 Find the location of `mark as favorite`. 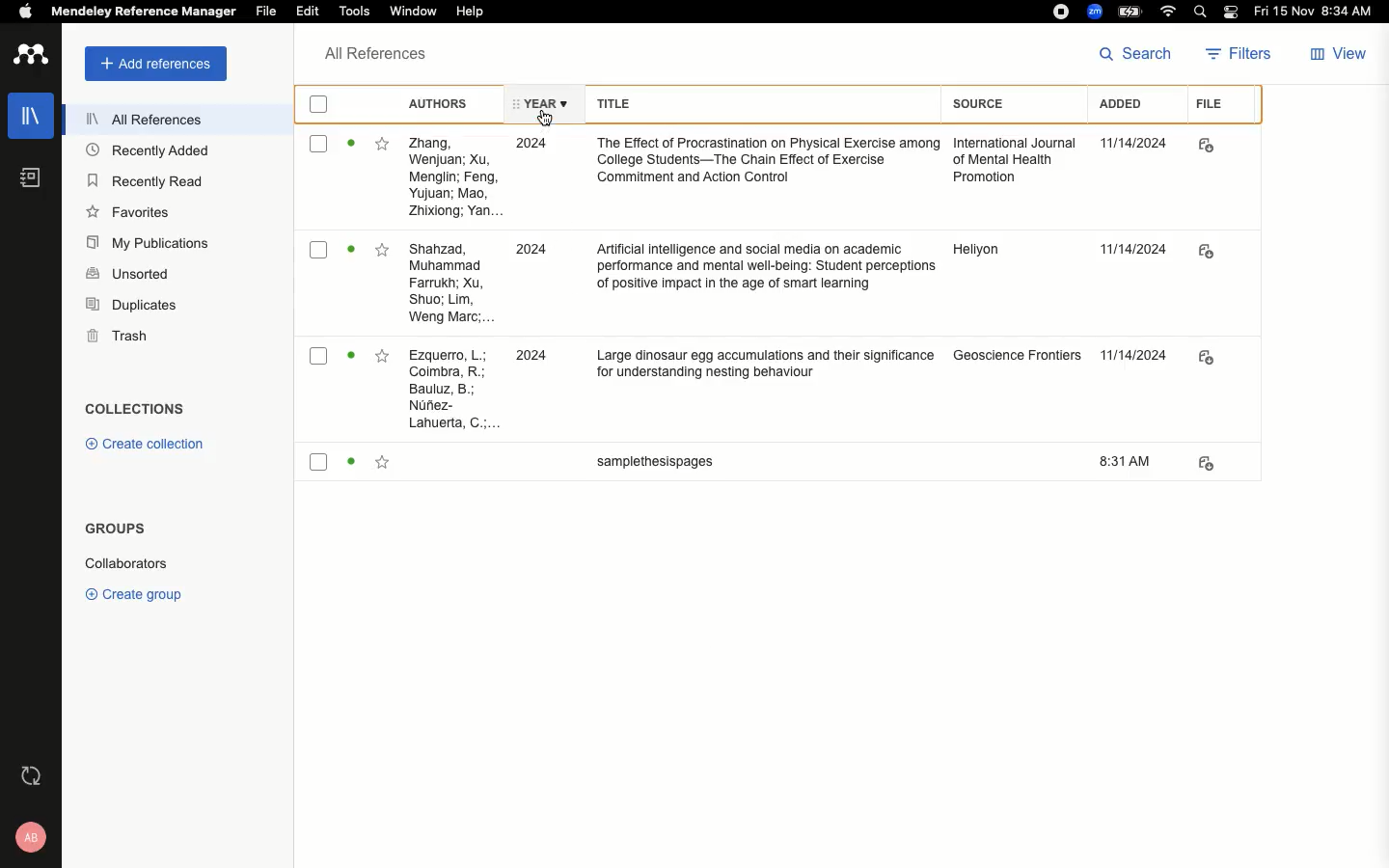

mark as favorite is located at coordinates (382, 147).